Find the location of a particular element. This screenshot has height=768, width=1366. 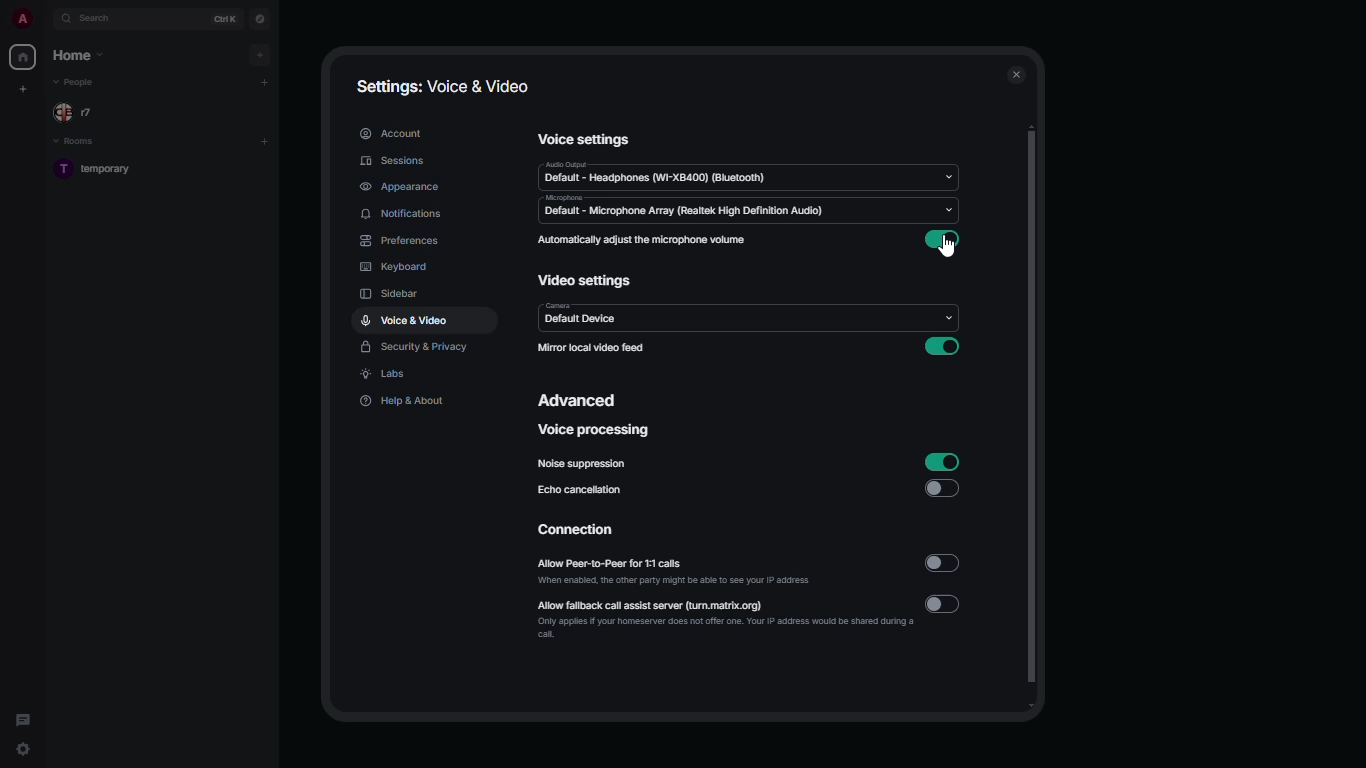

noise suppression is located at coordinates (583, 464).